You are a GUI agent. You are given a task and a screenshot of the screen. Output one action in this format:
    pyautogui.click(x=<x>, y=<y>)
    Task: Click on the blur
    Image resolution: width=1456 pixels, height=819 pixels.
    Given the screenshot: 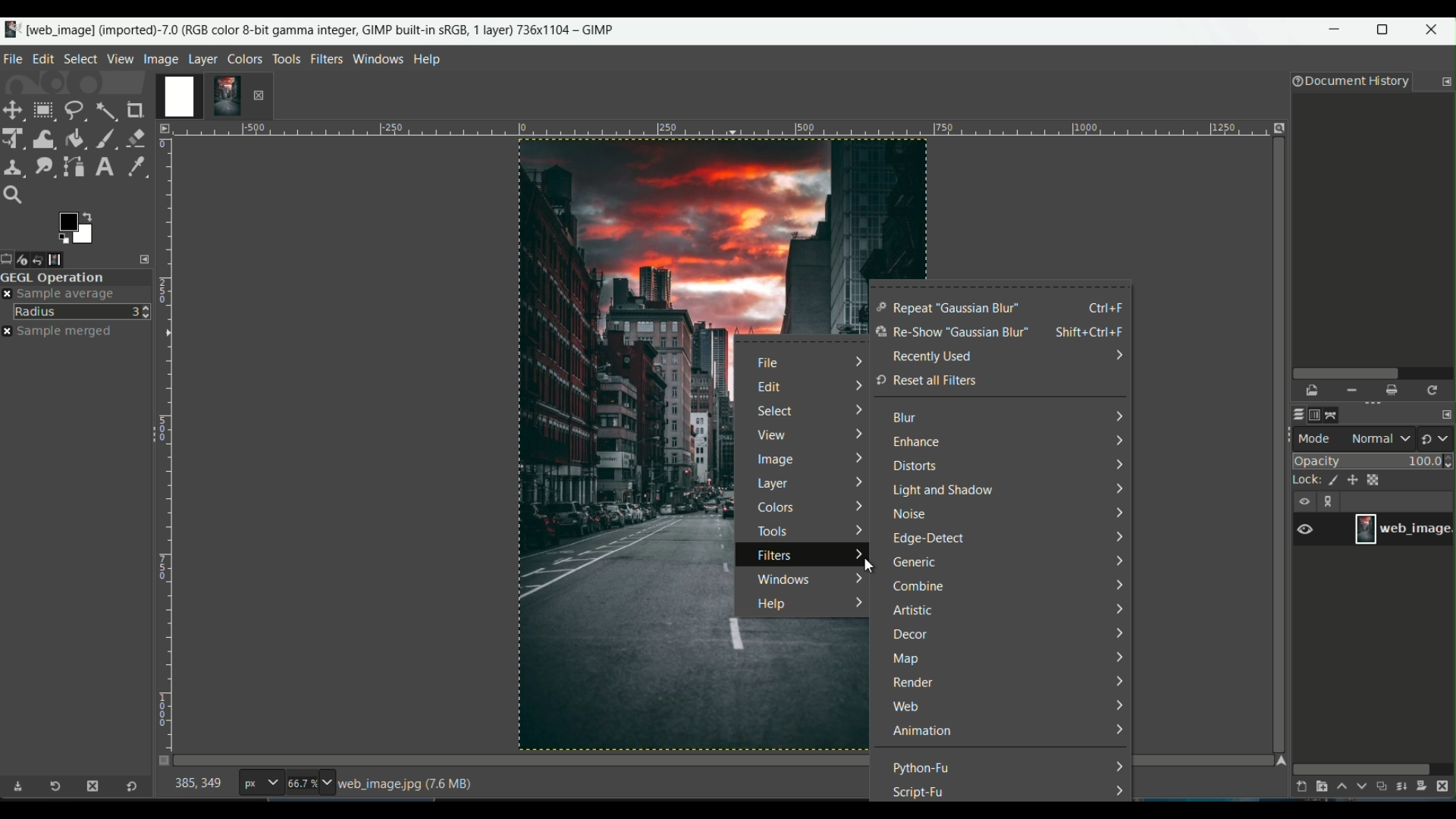 What is the action you would take?
    pyautogui.click(x=905, y=421)
    